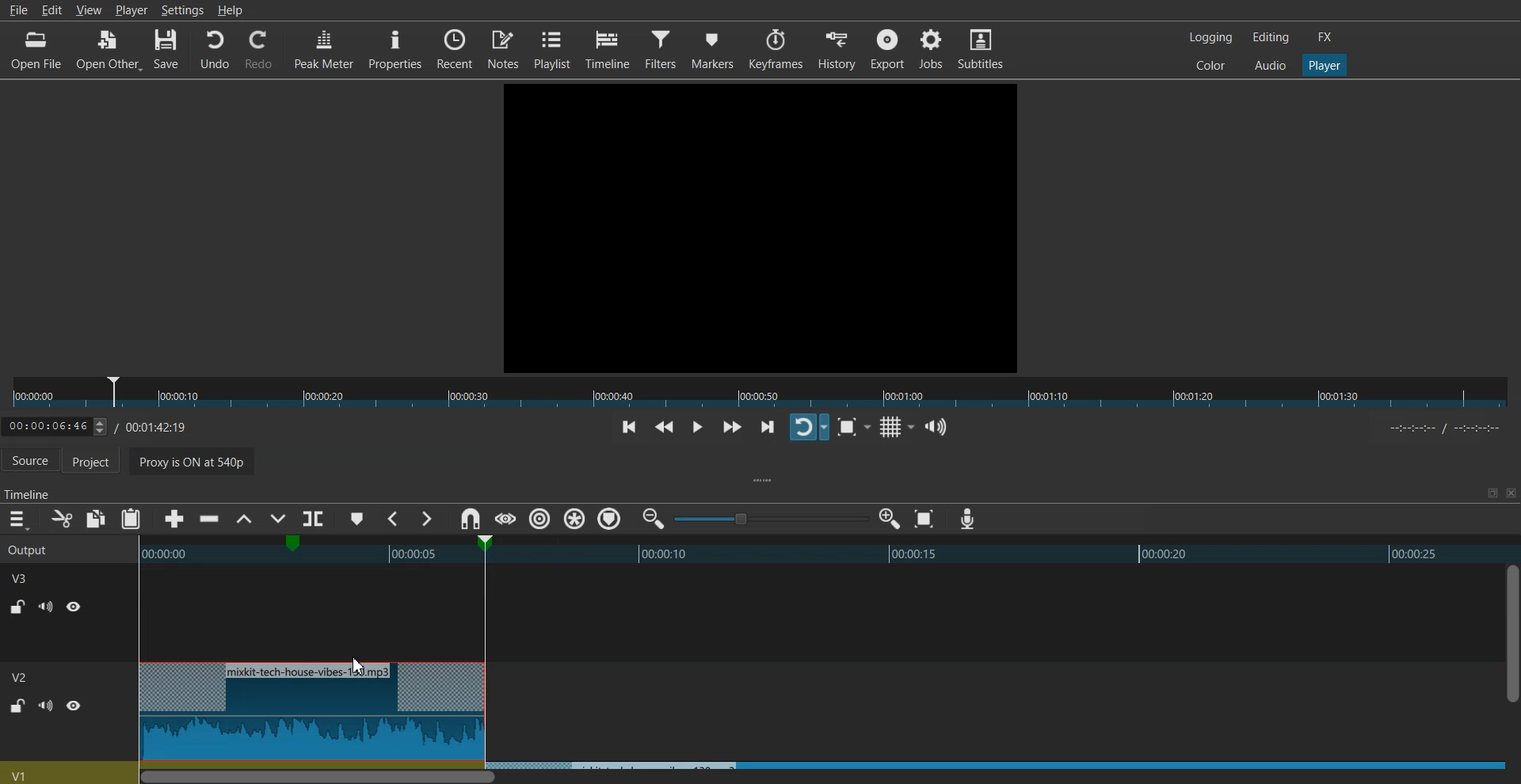 This screenshot has width=1521, height=784. I want to click on Audio waveform, so click(817, 625).